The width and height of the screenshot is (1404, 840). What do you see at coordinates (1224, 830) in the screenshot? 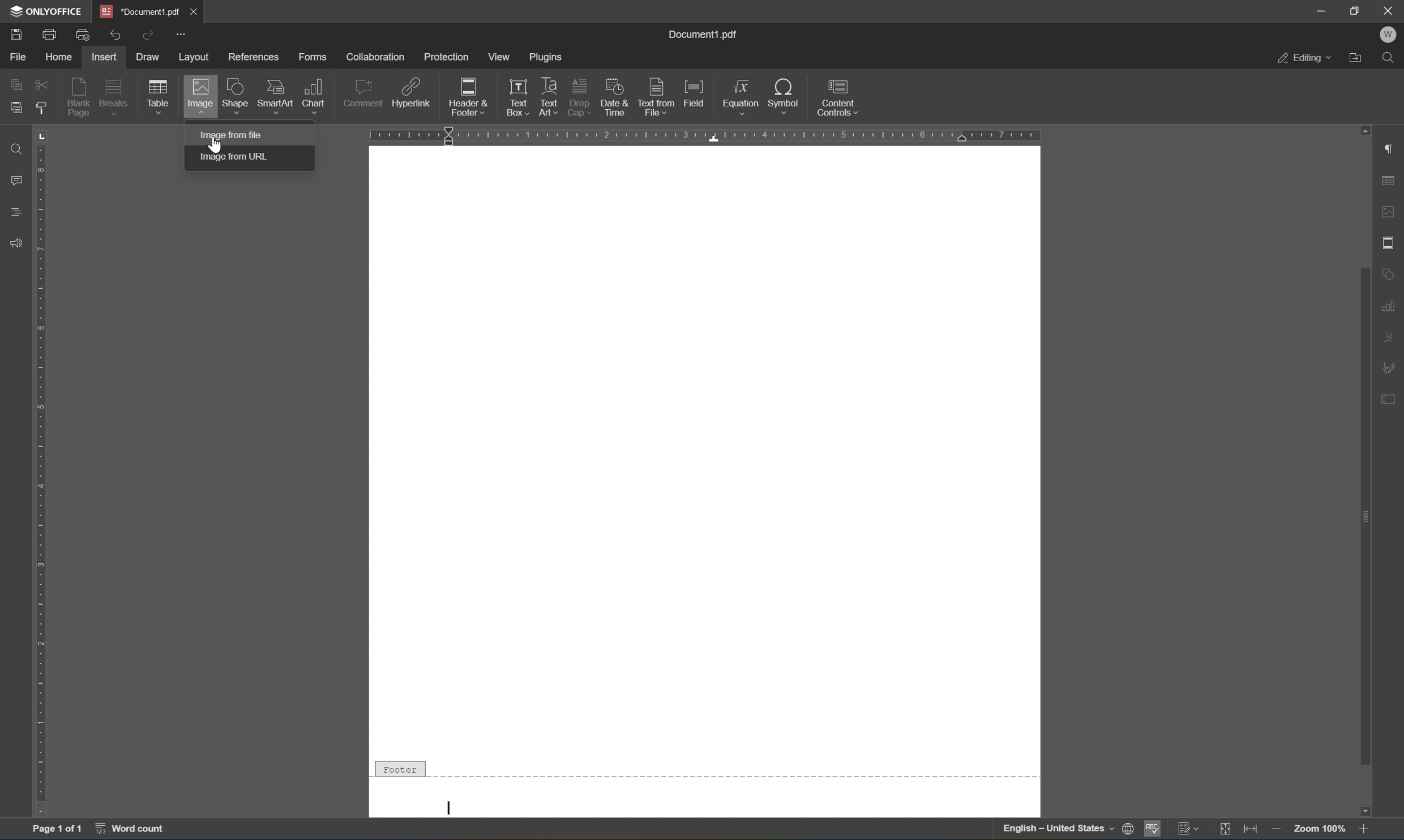
I see `fit to slide` at bounding box center [1224, 830].